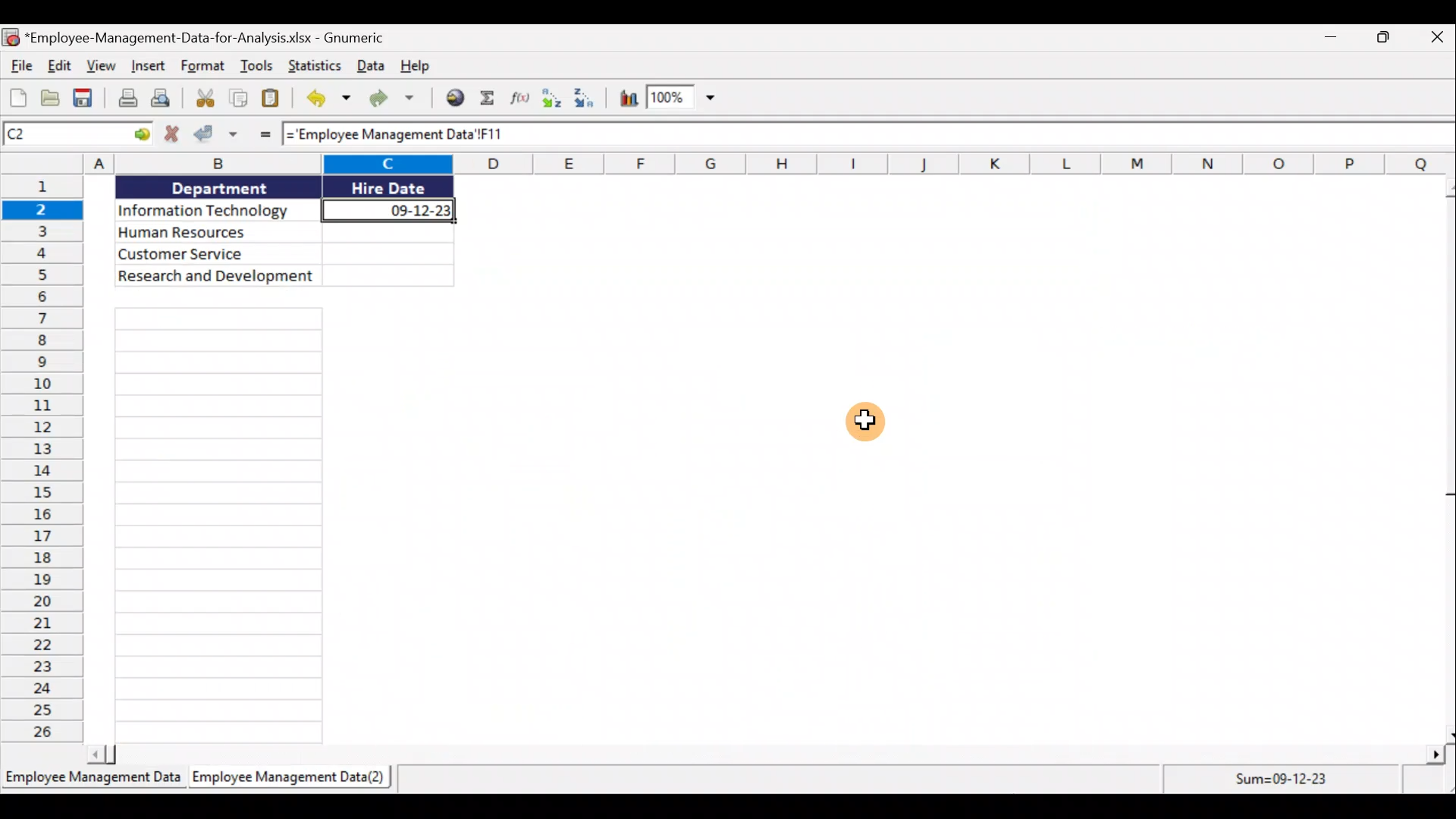 Image resolution: width=1456 pixels, height=819 pixels. I want to click on cells, so click(215, 526).